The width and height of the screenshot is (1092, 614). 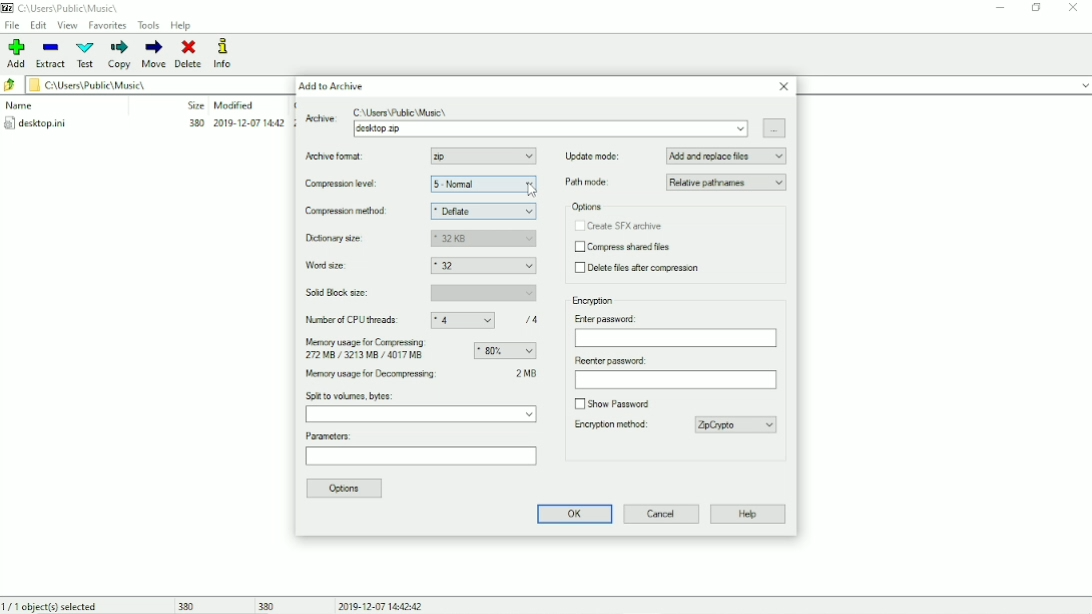 What do you see at coordinates (421, 450) in the screenshot?
I see `Parameters` at bounding box center [421, 450].